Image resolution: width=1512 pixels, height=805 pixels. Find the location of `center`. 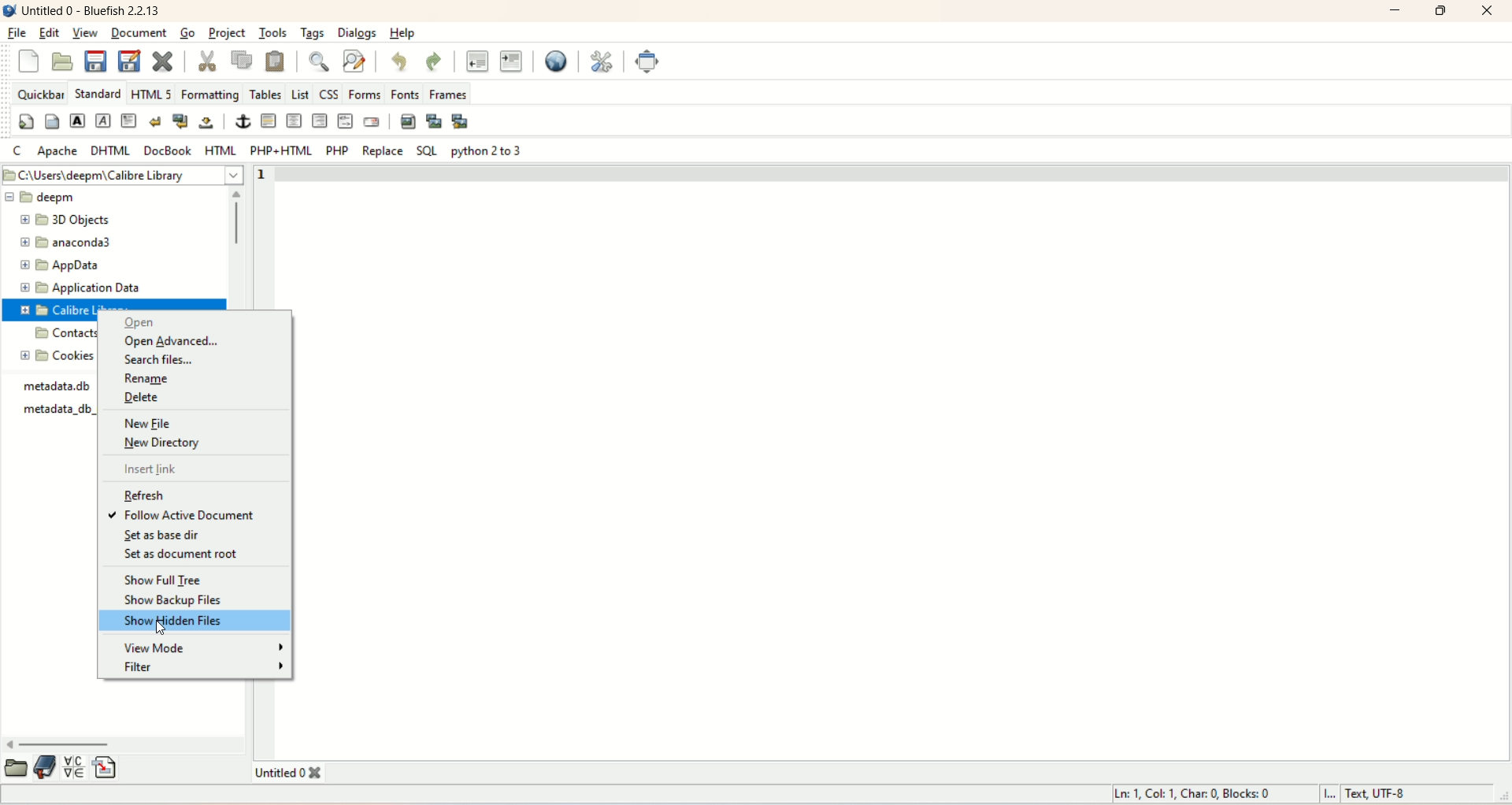

center is located at coordinates (295, 121).